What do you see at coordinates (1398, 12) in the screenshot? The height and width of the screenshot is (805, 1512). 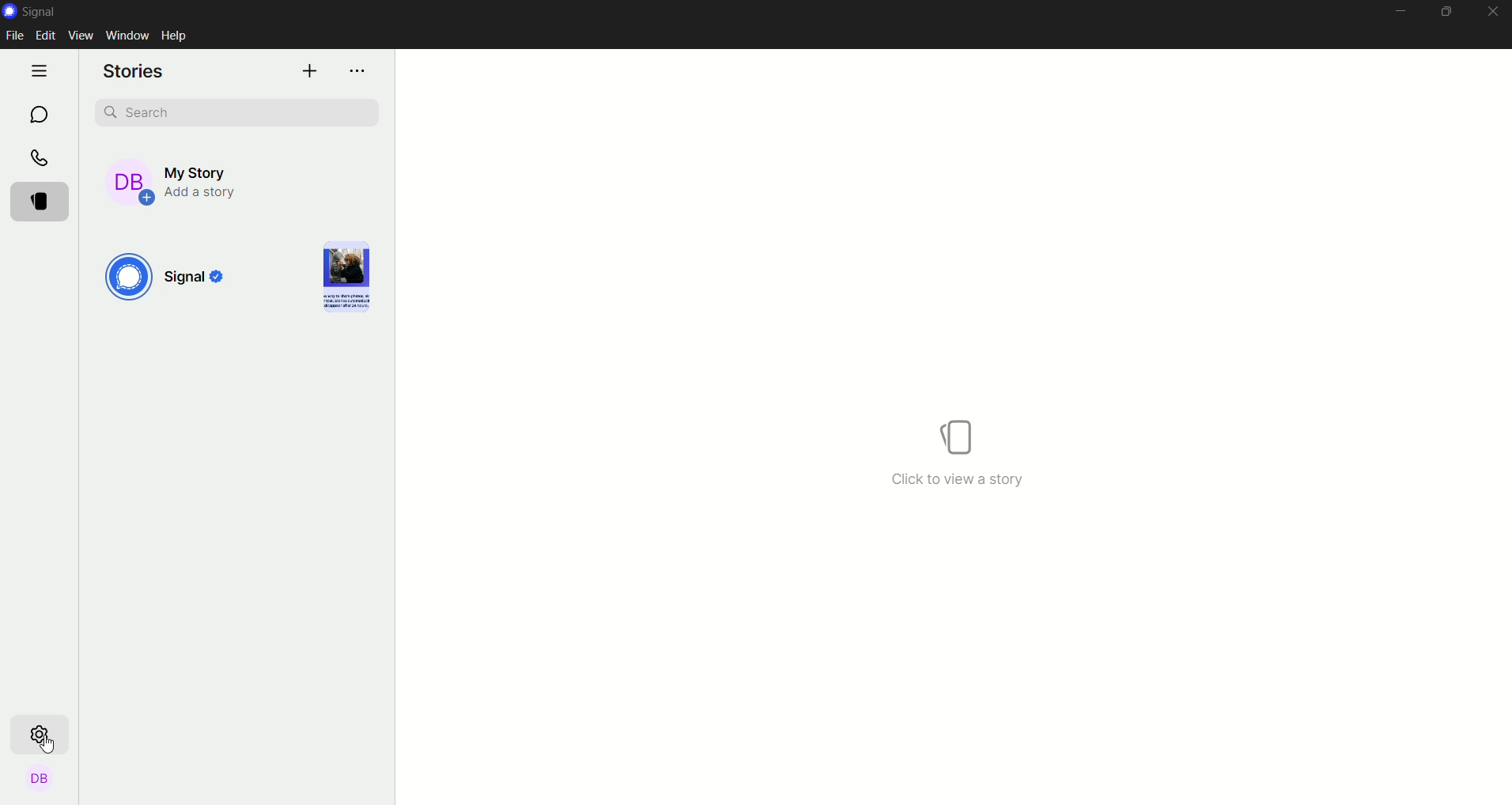 I see `minimize` at bounding box center [1398, 12].